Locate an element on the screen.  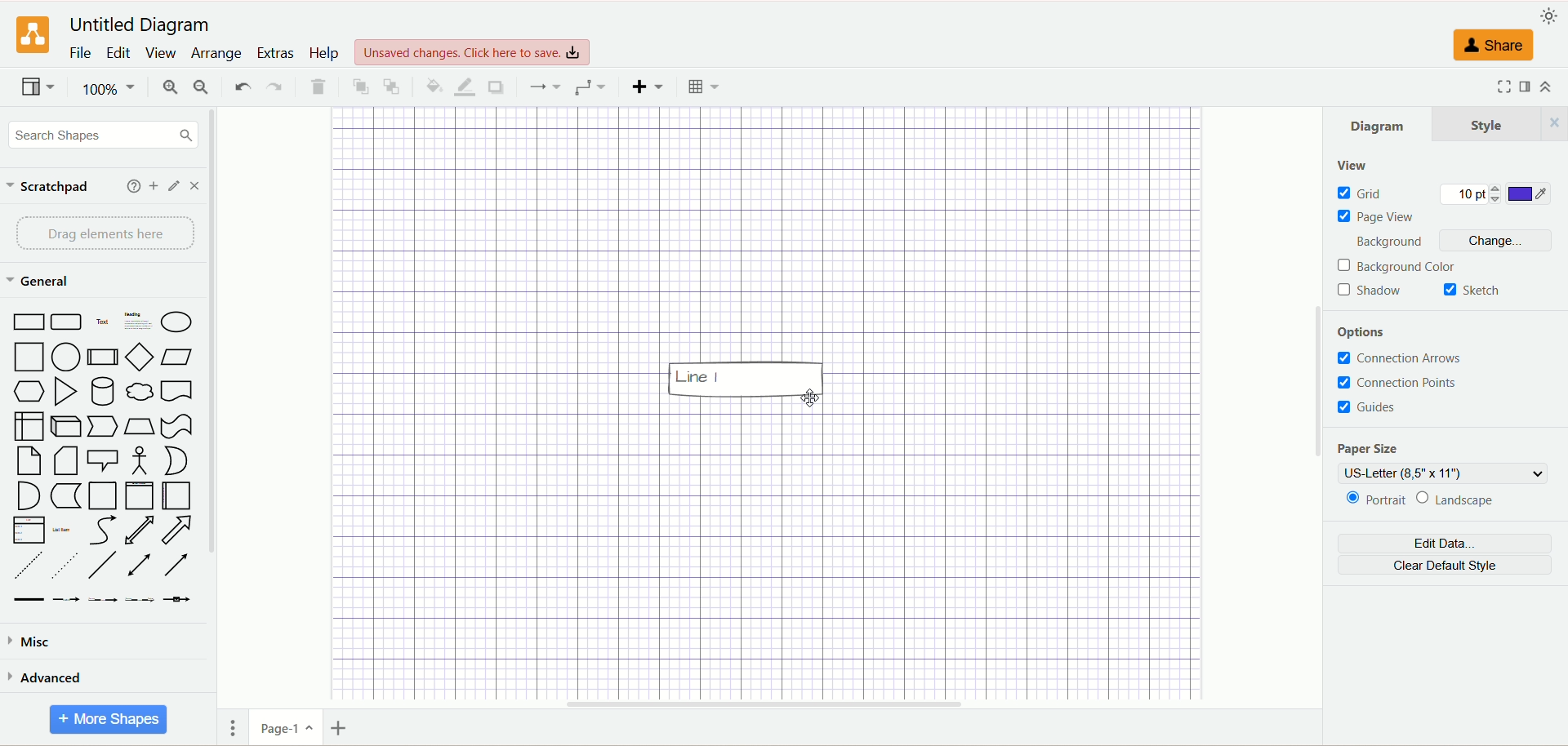
Callout is located at coordinates (104, 460).